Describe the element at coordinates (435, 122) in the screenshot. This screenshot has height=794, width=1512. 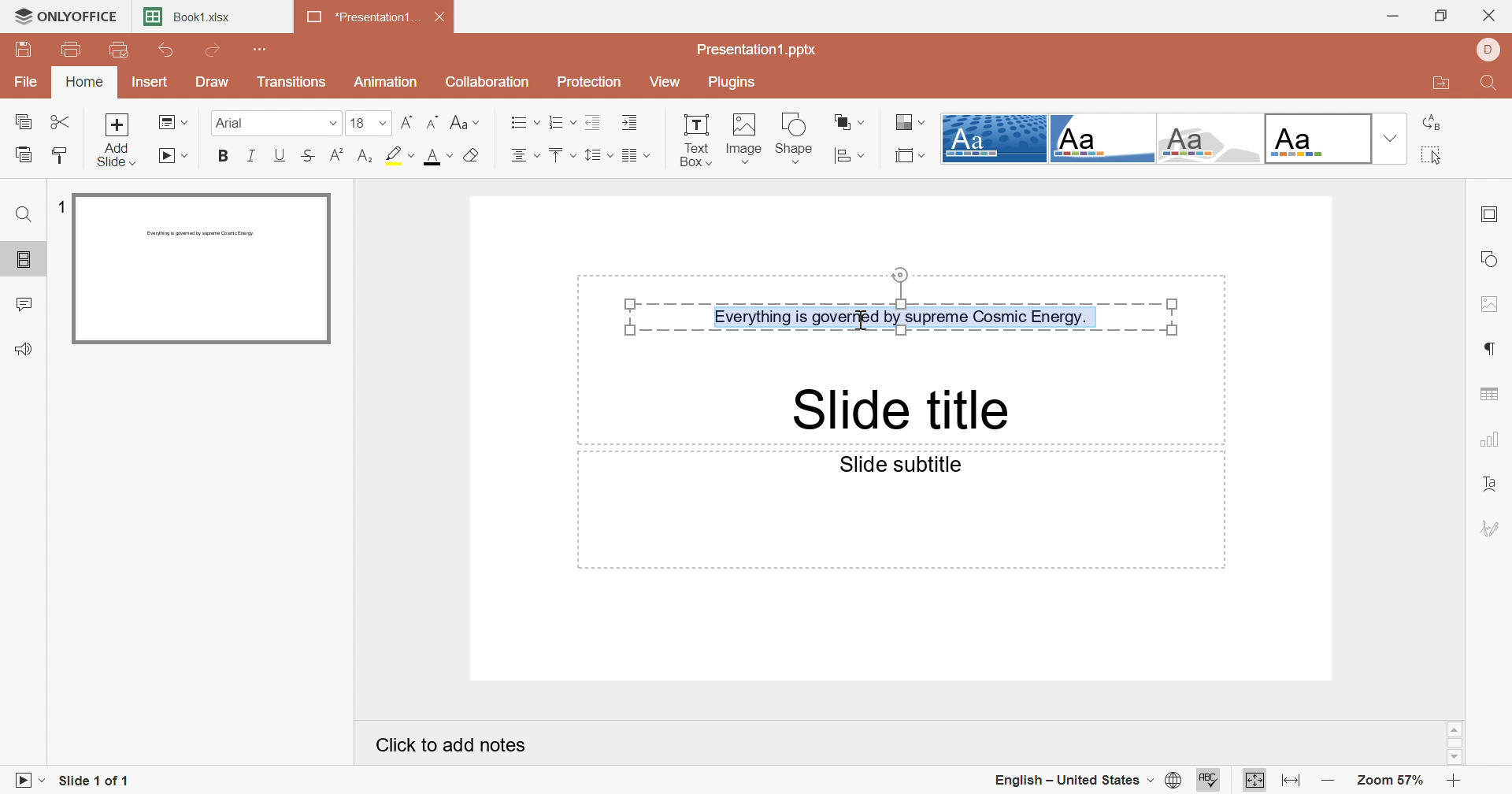
I see `Decrement font size` at that location.